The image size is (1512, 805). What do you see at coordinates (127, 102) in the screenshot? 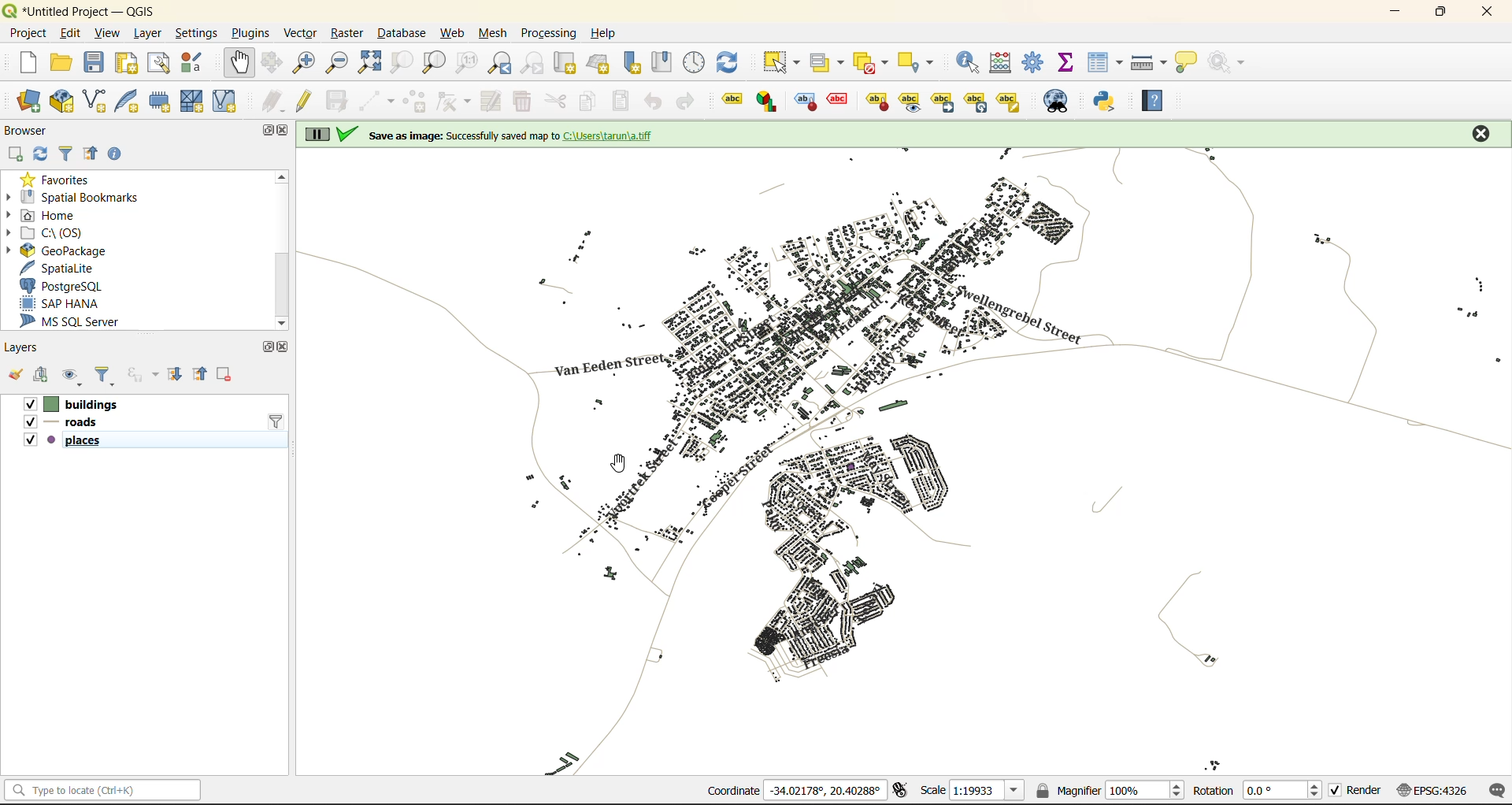
I see `new spatialite` at bounding box center [127, 102].